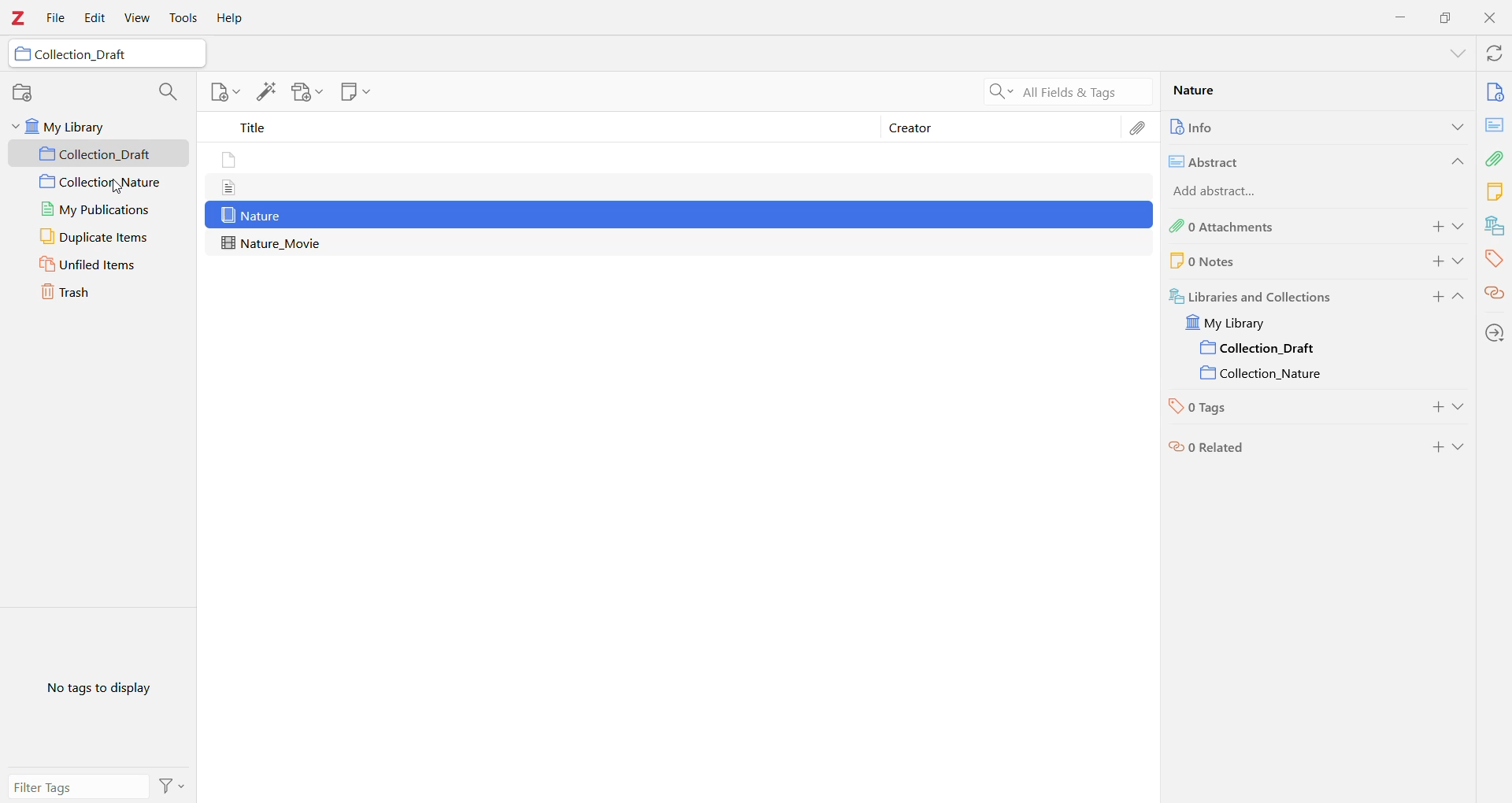 The image size is (1512, 803). Describe the element at coordinates (1461, 227) in the screenshot. I see `Expand Section` at that location.